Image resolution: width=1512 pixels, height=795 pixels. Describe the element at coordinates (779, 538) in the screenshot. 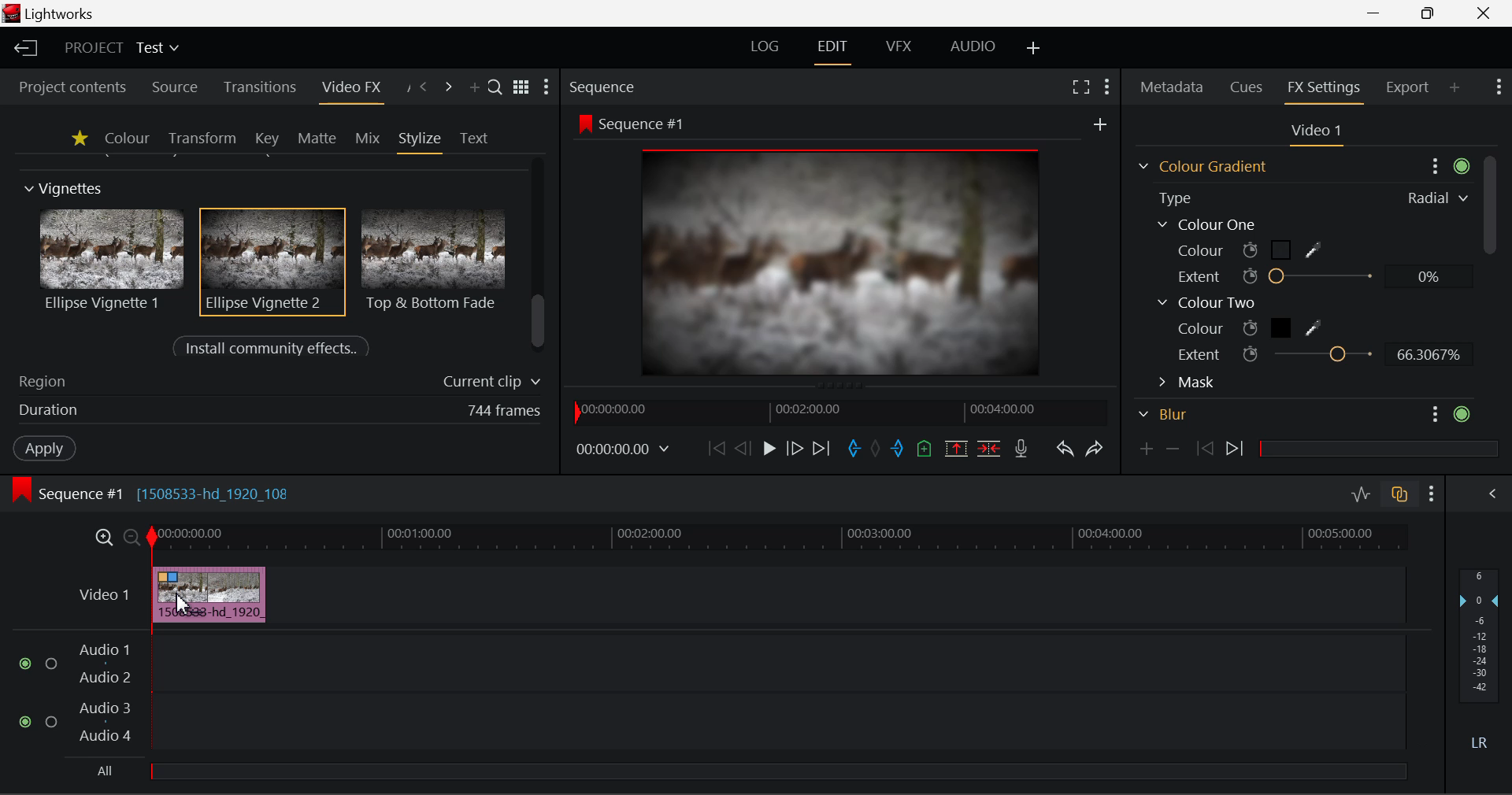

I see `Project Timeline` at that location.